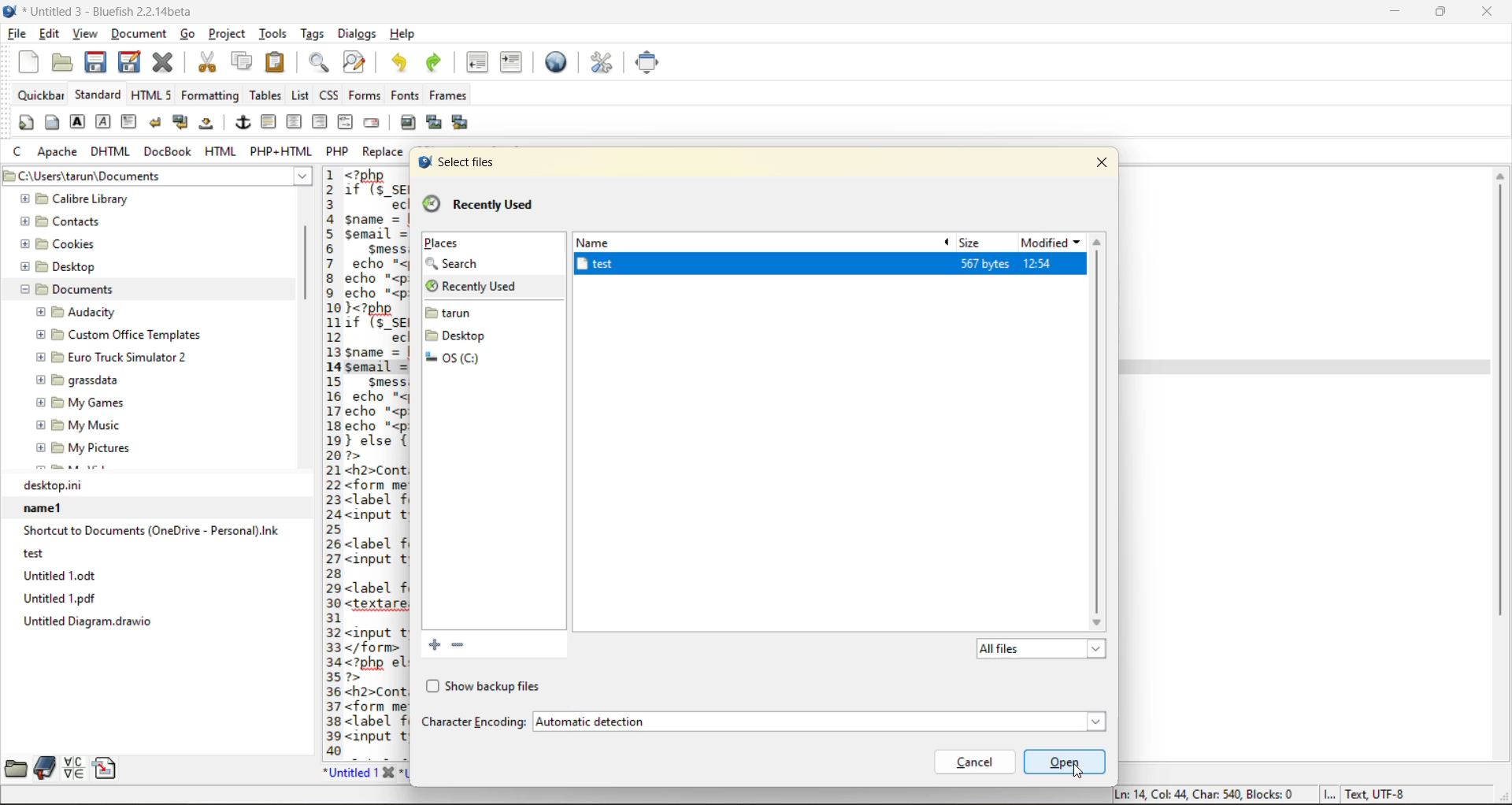  I want to click on view, so click(86, 35).